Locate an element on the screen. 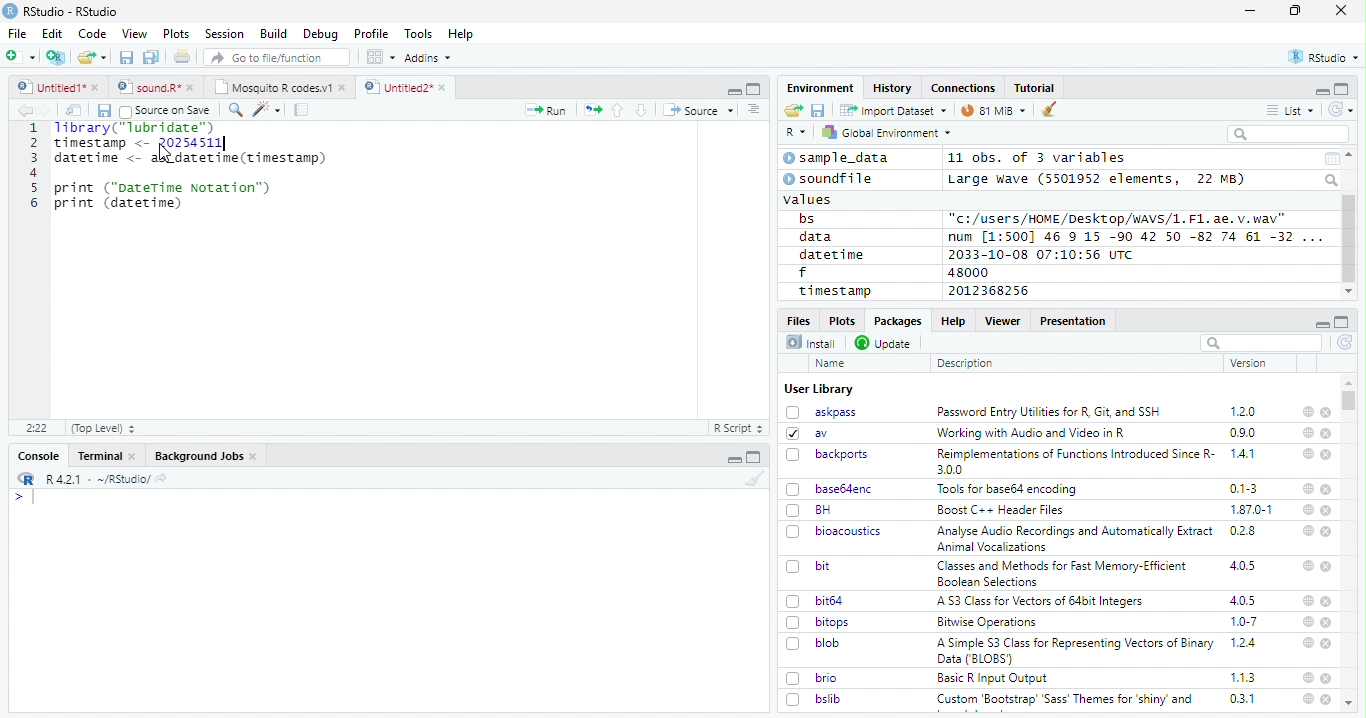 This screenshot has height=718, width=1366. sample_data is located at coordinates (839, 158).